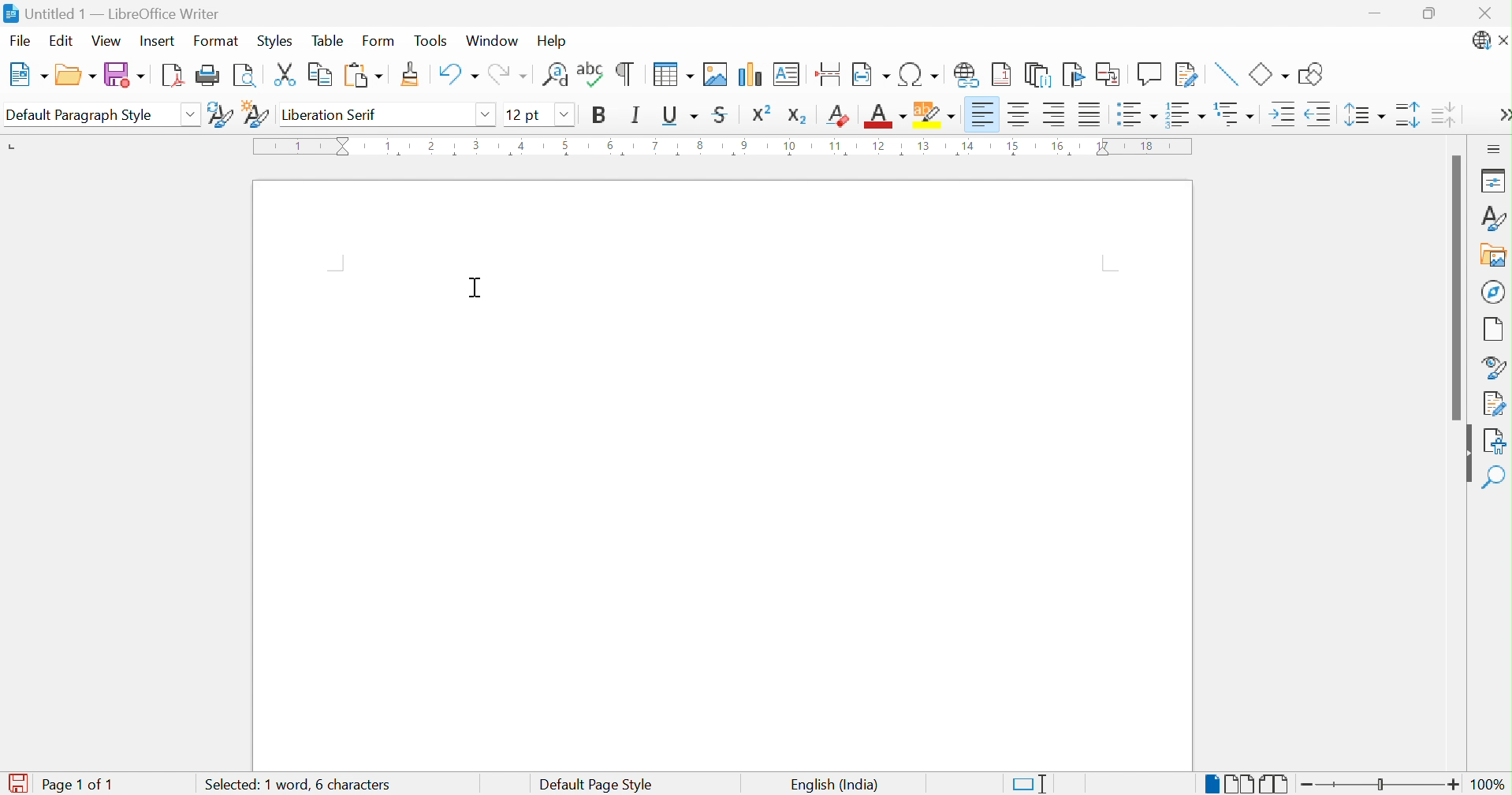  Describe the element at coordinates (591, 73) in the screenshot. I see `Check Spelling` at that location.